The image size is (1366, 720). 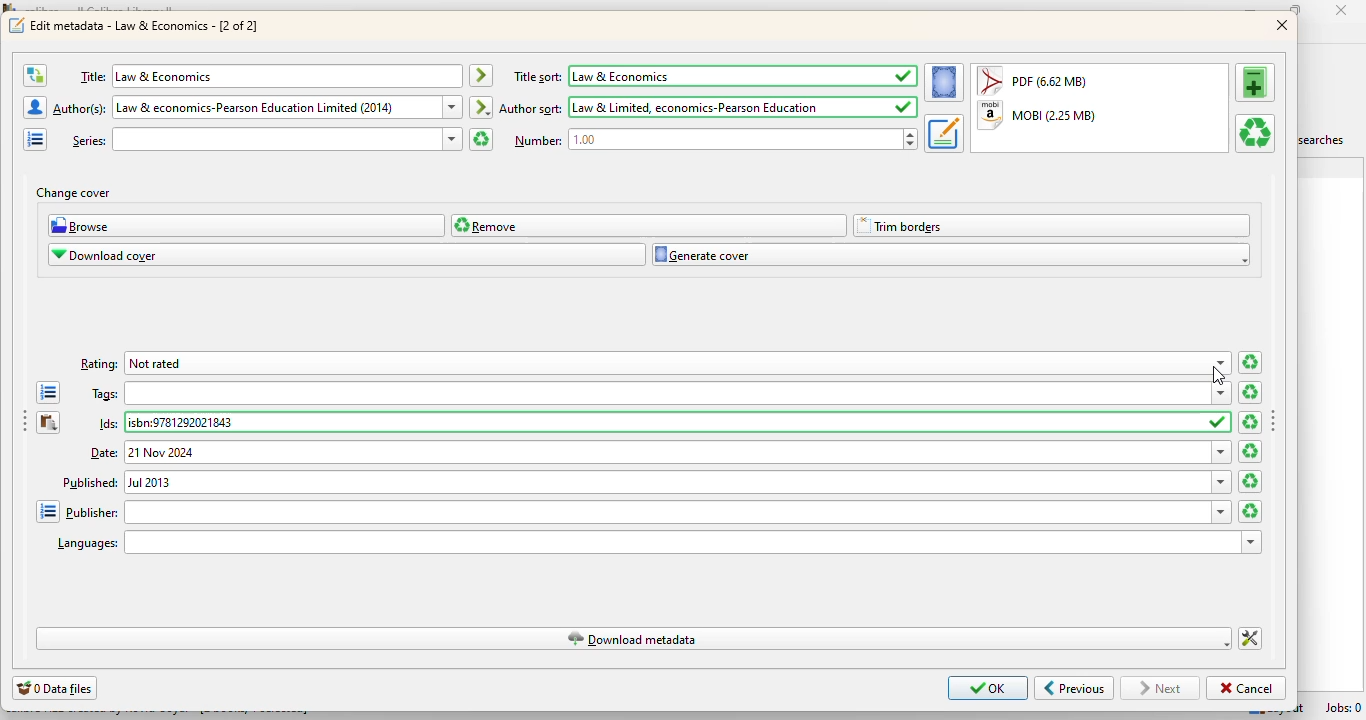 I want to click on set the metadata for the book from the selected format, so click(x=943, y=134).